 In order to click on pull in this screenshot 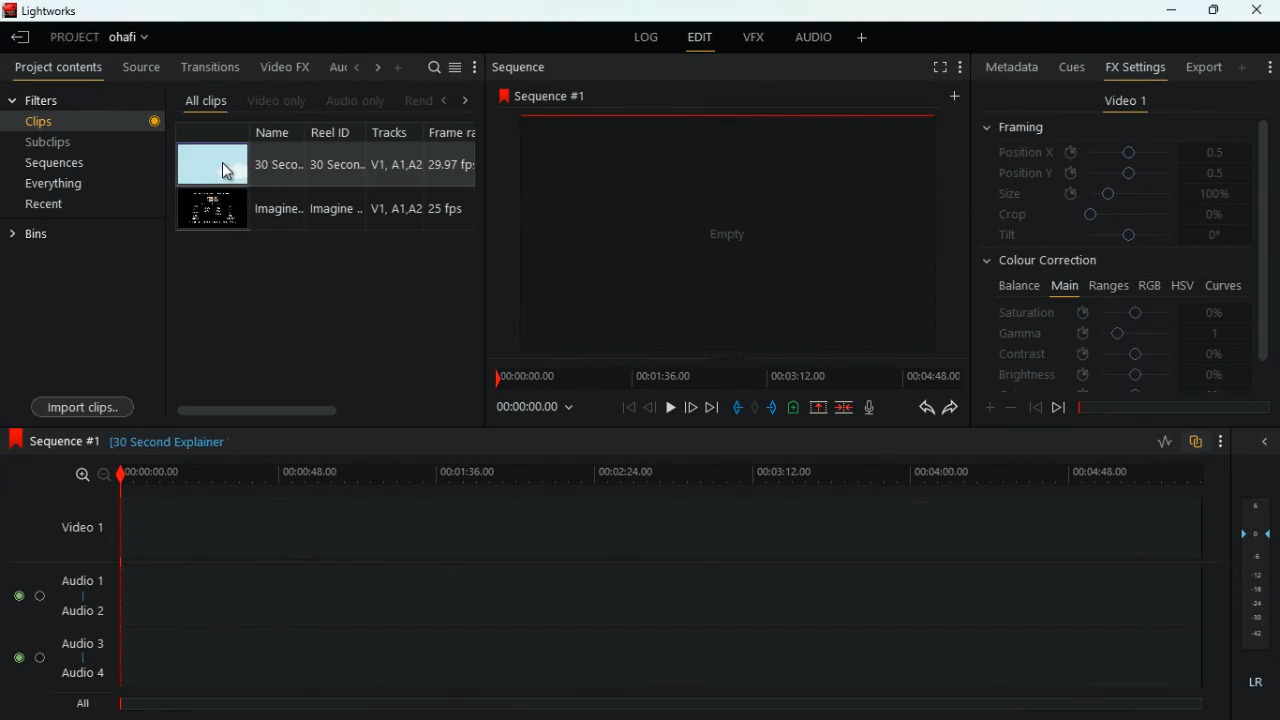, I will do `click(736, 408)`.